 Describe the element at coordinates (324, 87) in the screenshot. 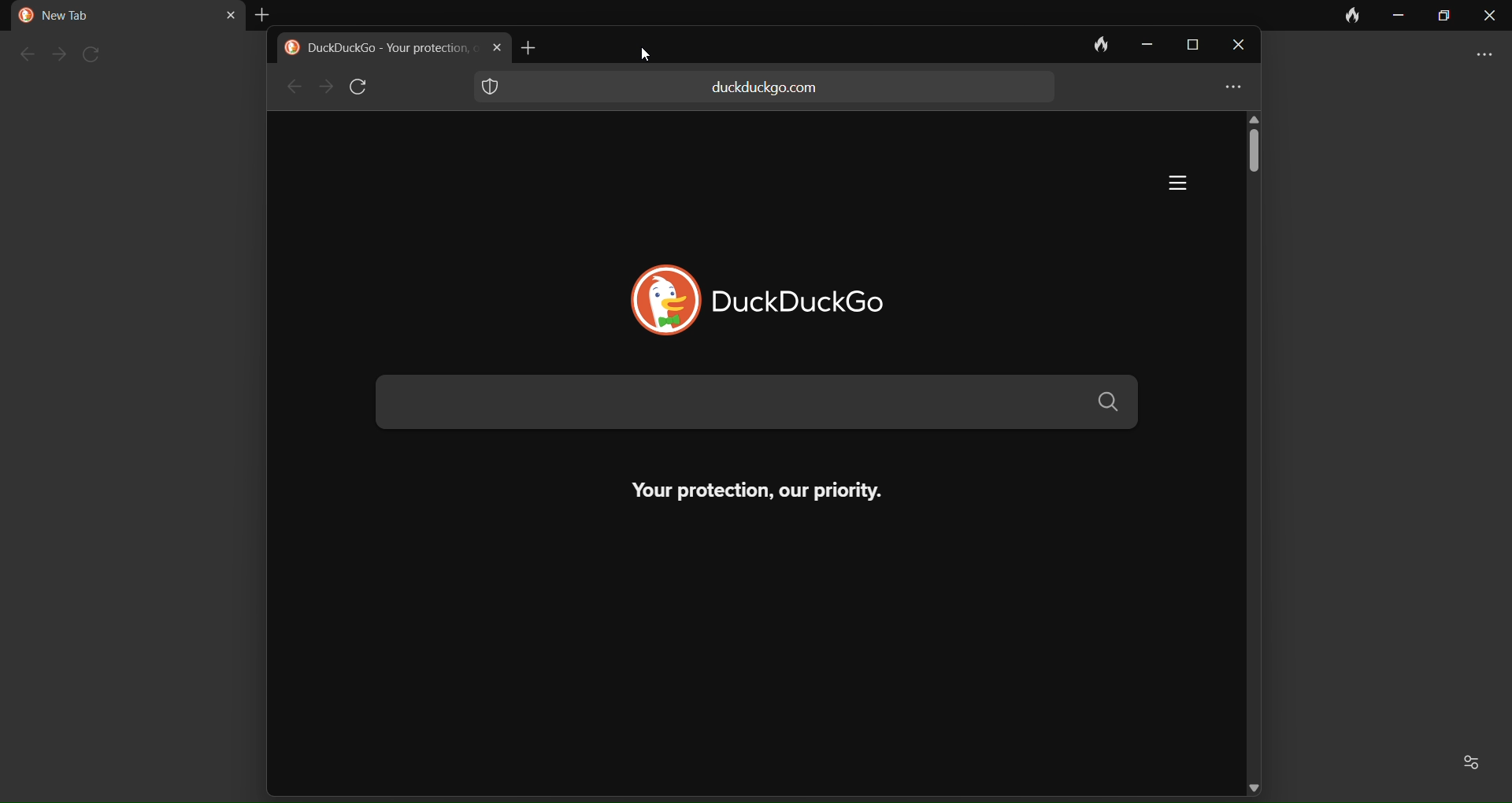

I see `next` at that location.